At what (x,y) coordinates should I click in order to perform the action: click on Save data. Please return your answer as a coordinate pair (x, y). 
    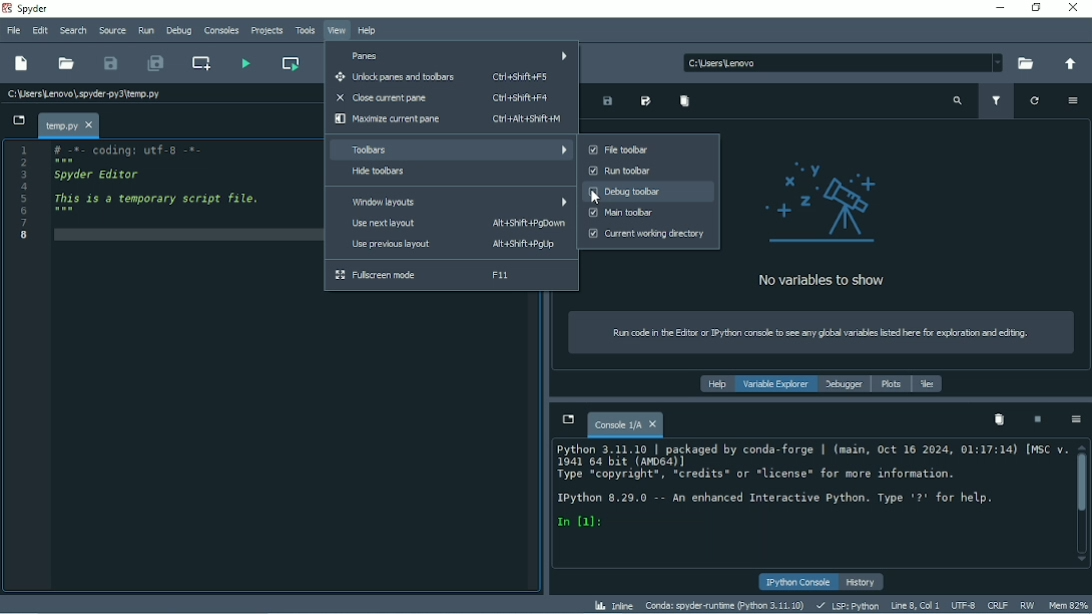
    Looking at the image, I should click on (607, 102).